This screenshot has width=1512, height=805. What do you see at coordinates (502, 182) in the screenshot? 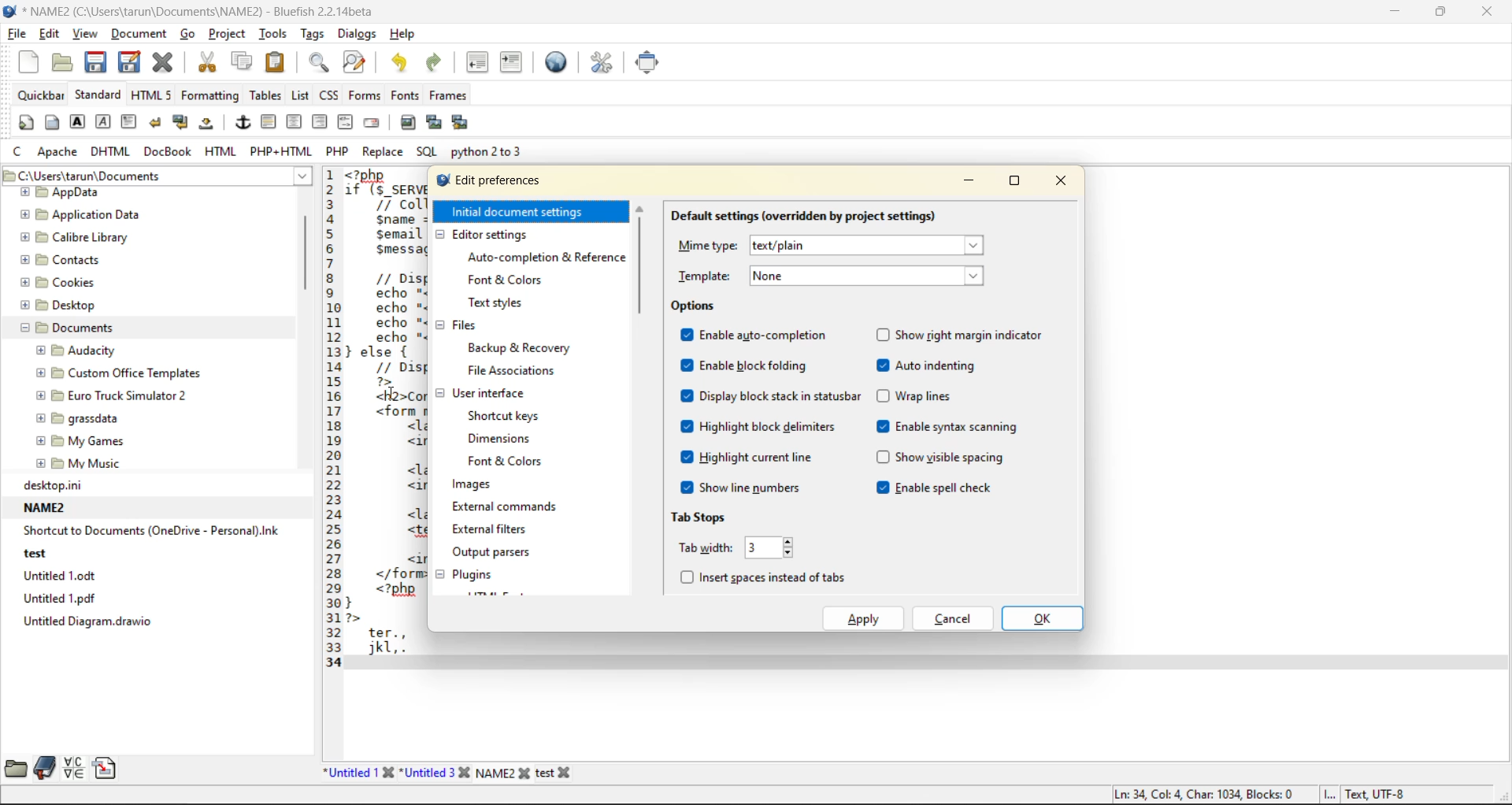
I see `edit preferences` at bounding box center [502, 182].